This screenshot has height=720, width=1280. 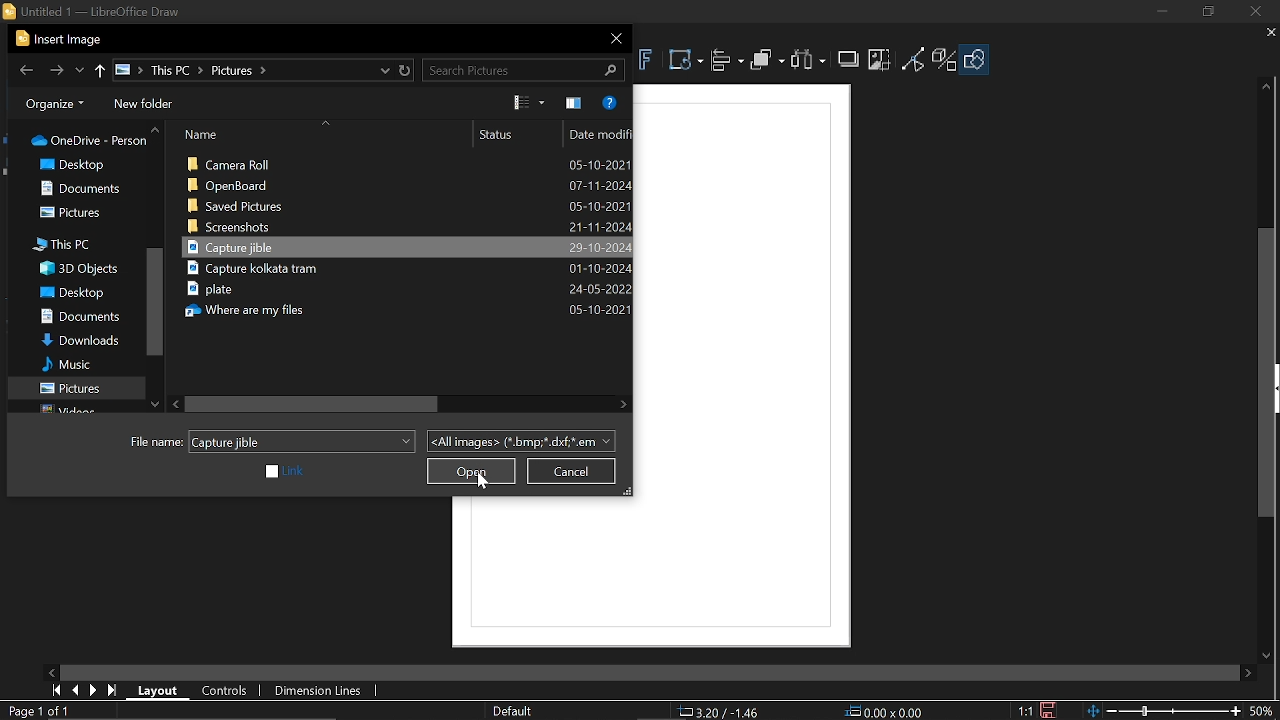 What do you see at coordinates (728, 63) in the screenshot?
I see `Align` at bounding box center [728, 63].